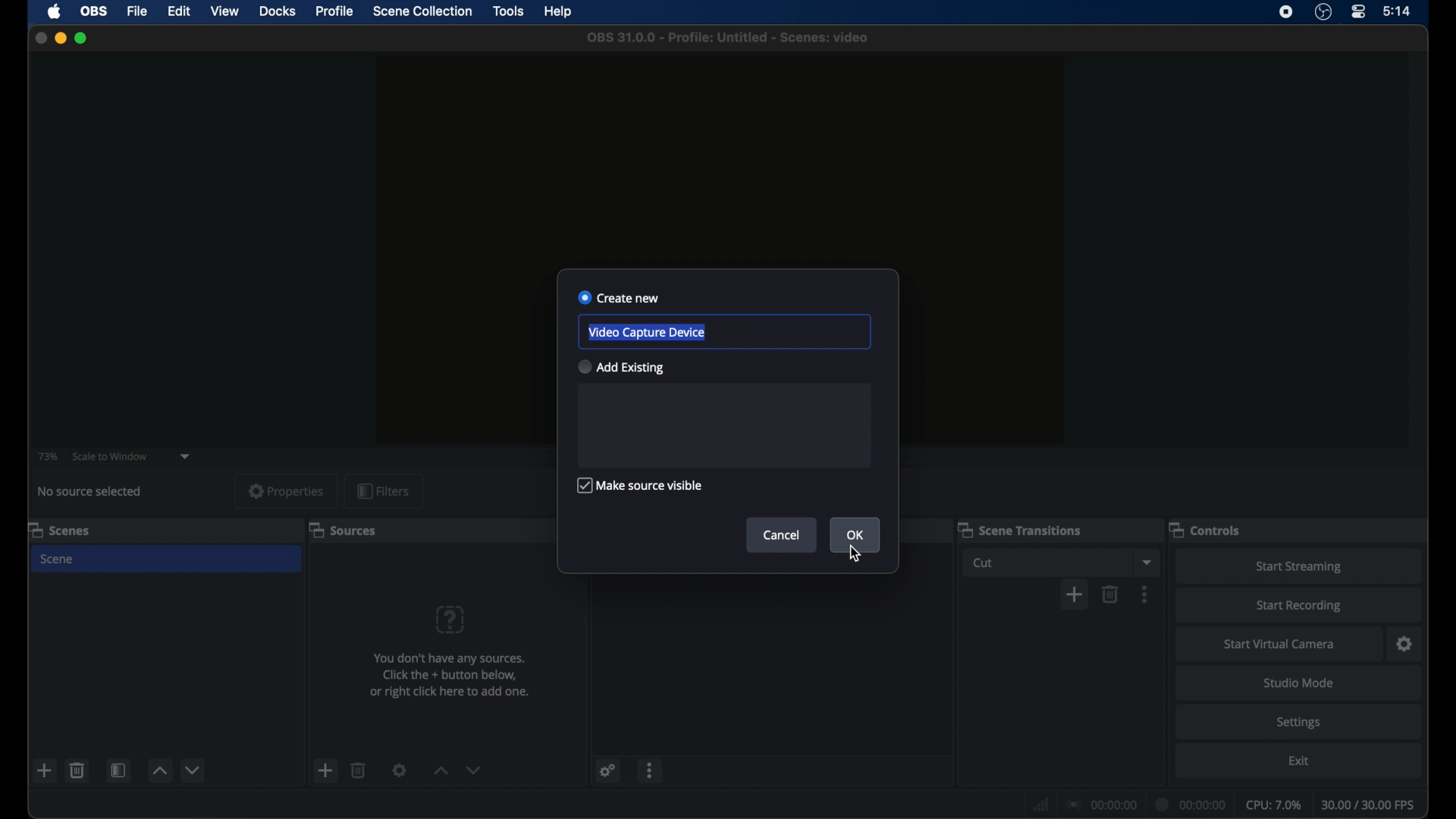 The height and width of the screenshot is (819, 1456). I want to click on tools, so click(508, 10).